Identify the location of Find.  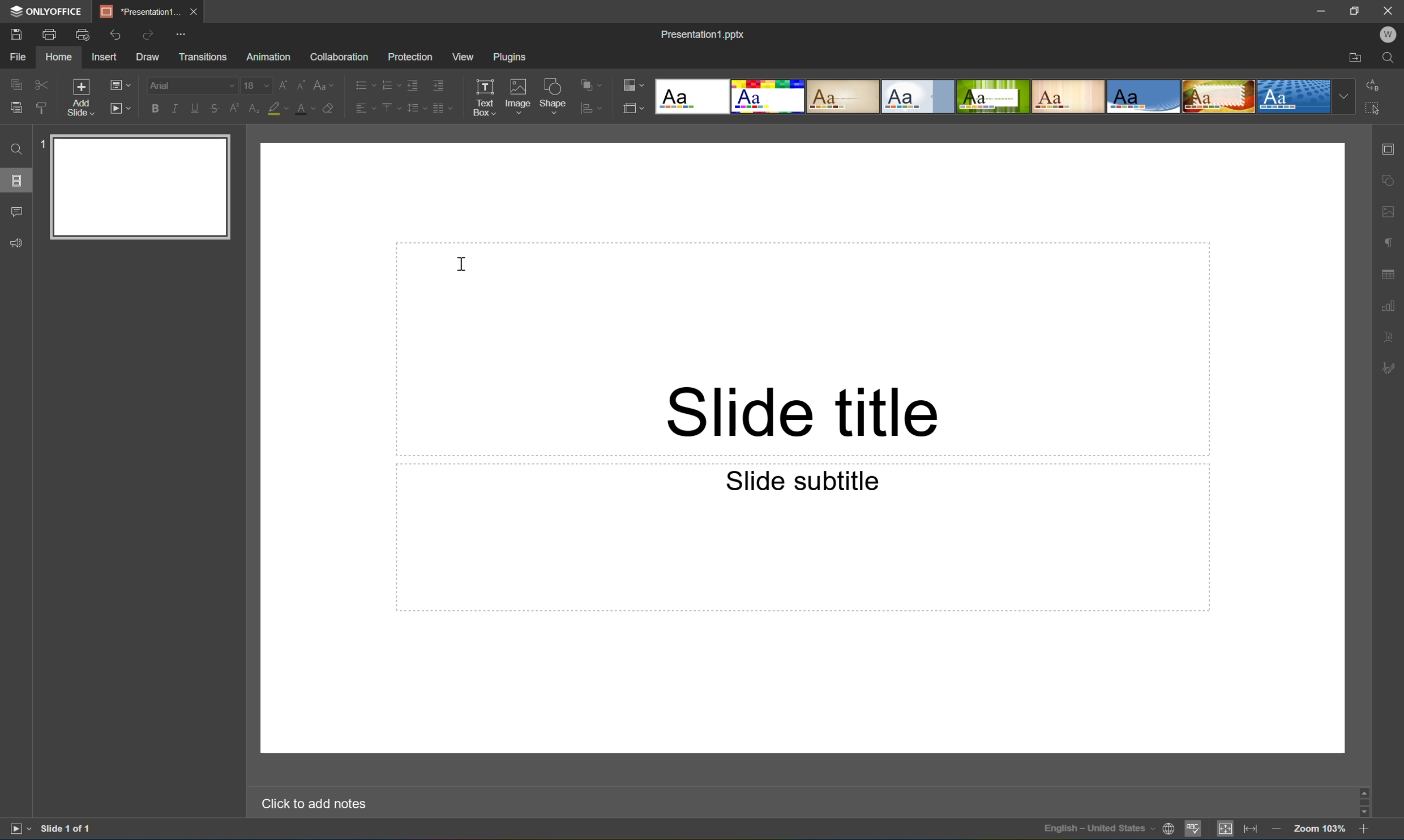
(1390, 57).